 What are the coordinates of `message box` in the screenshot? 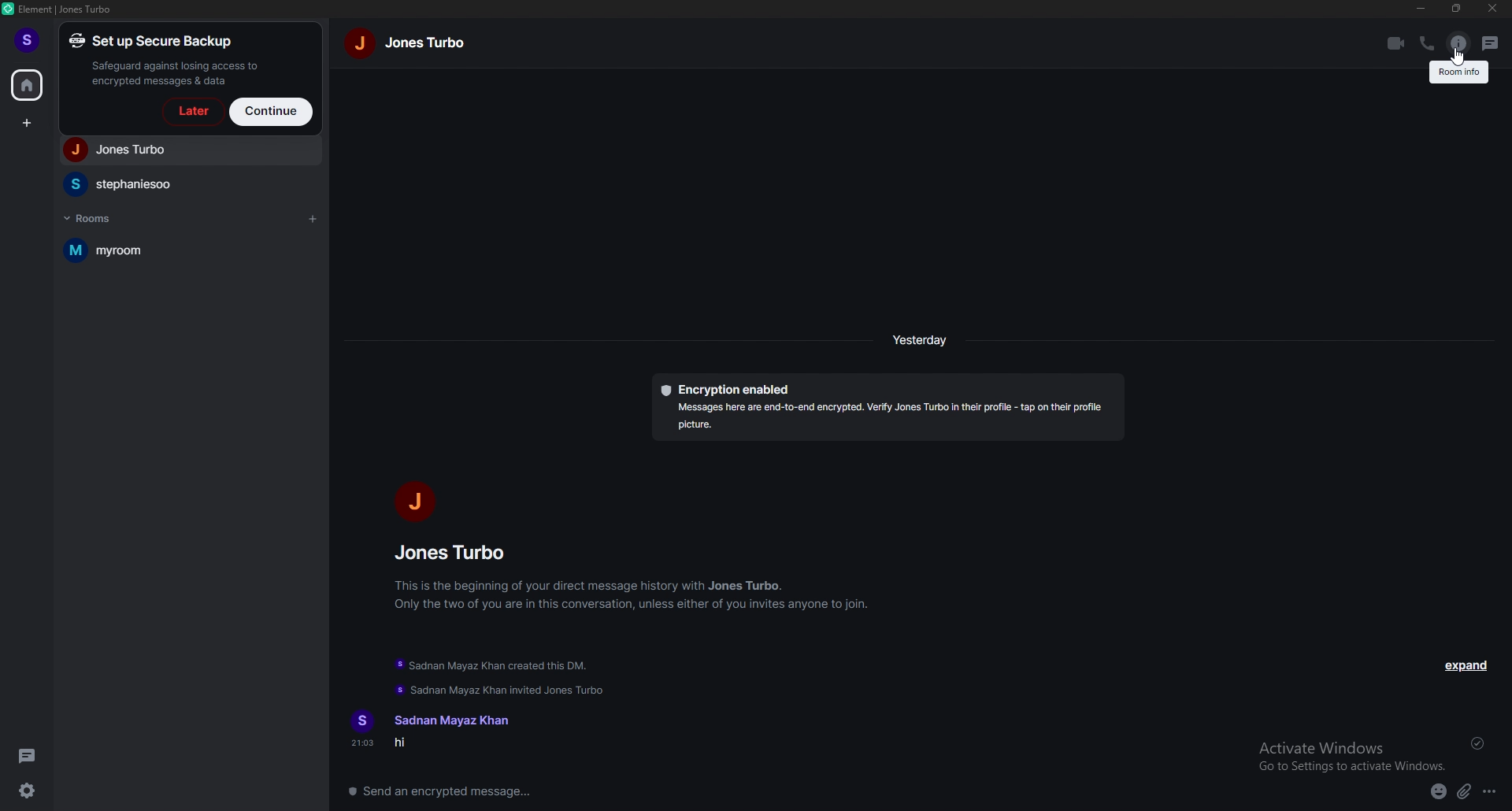 It's located at (450, 790).